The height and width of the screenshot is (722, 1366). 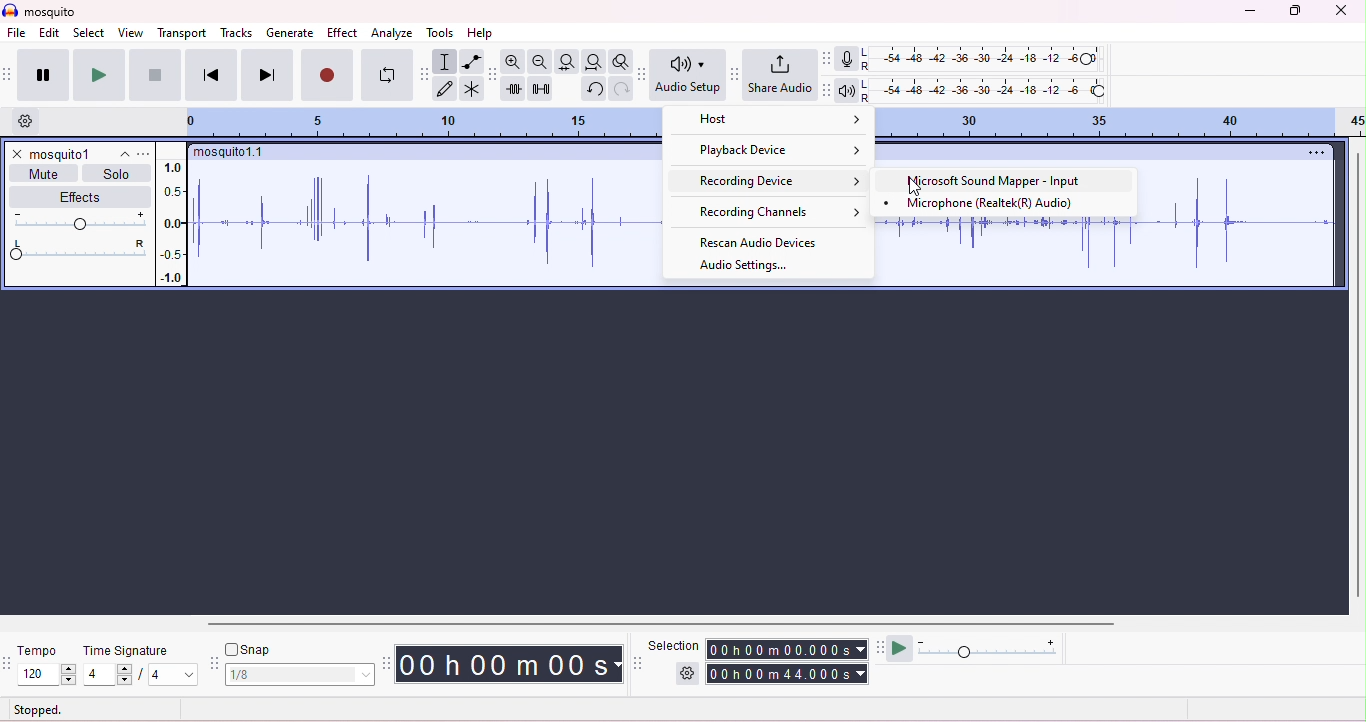 What do you see at coordinates (130, 32) in the screenshot?
I see `view` at bounding box center [130, 32].